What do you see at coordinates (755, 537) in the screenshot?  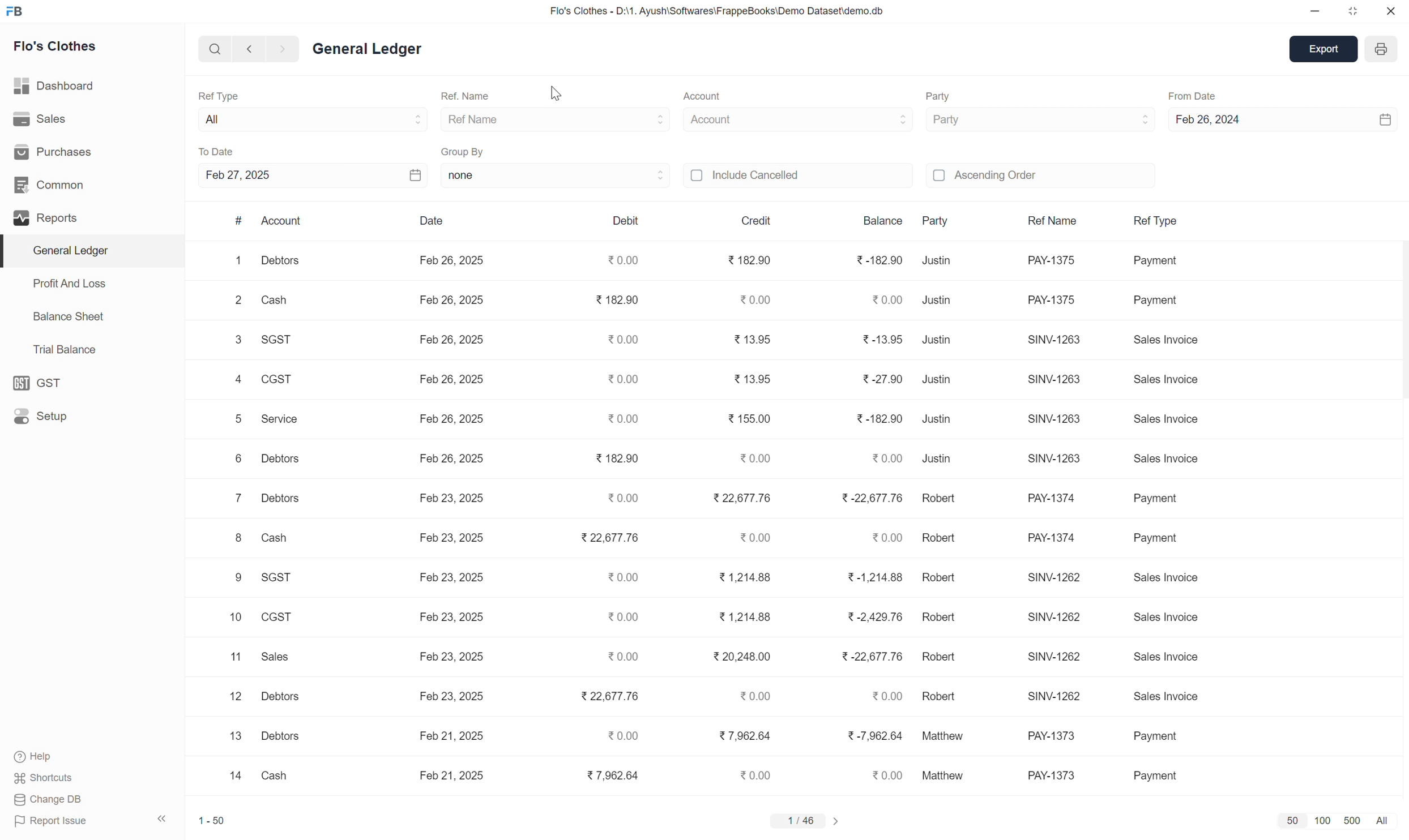 I see `0.00` at bounding box center [755, 537].